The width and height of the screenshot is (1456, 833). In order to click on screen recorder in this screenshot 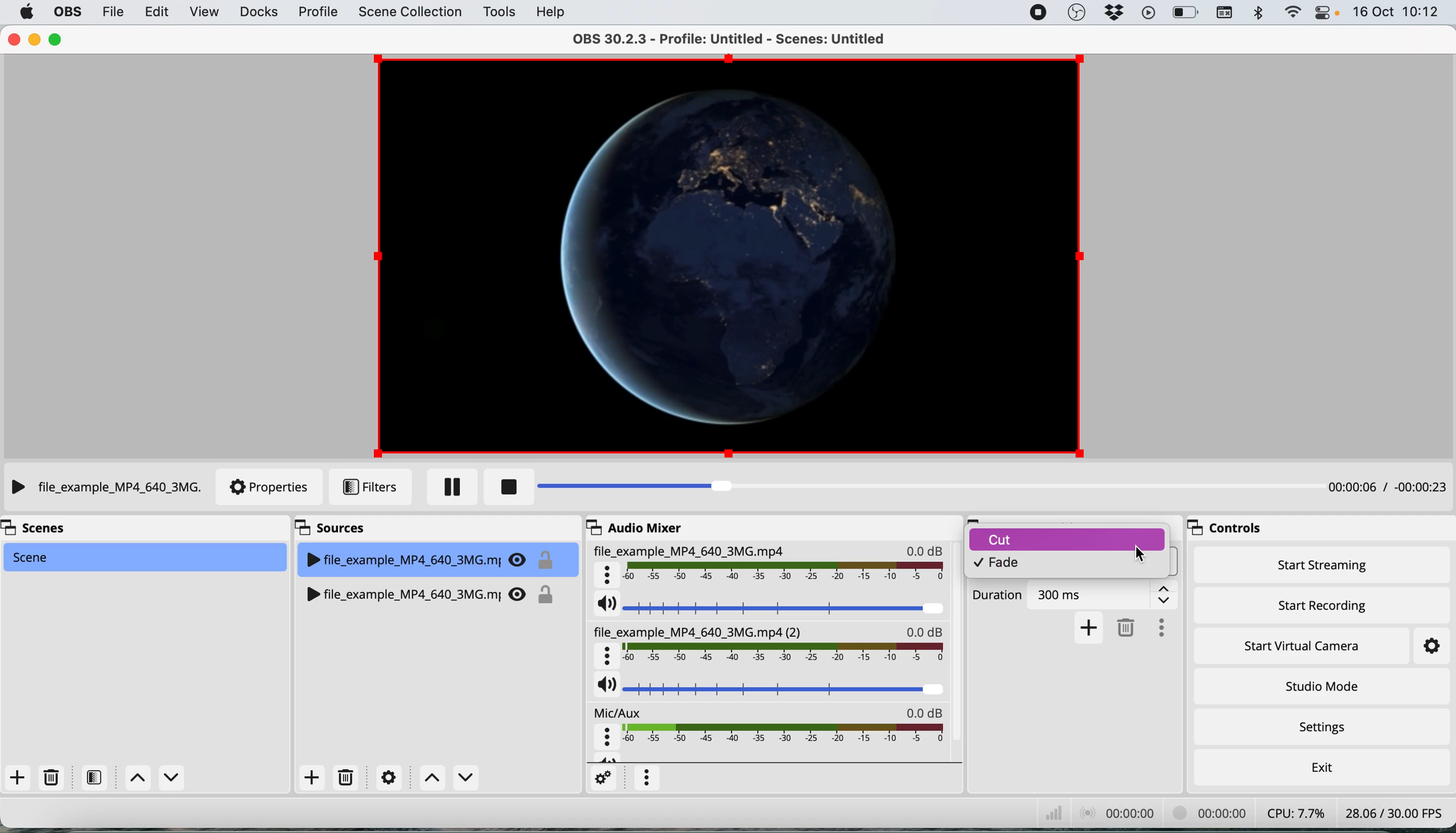, I will do `click(1037, 13)`.